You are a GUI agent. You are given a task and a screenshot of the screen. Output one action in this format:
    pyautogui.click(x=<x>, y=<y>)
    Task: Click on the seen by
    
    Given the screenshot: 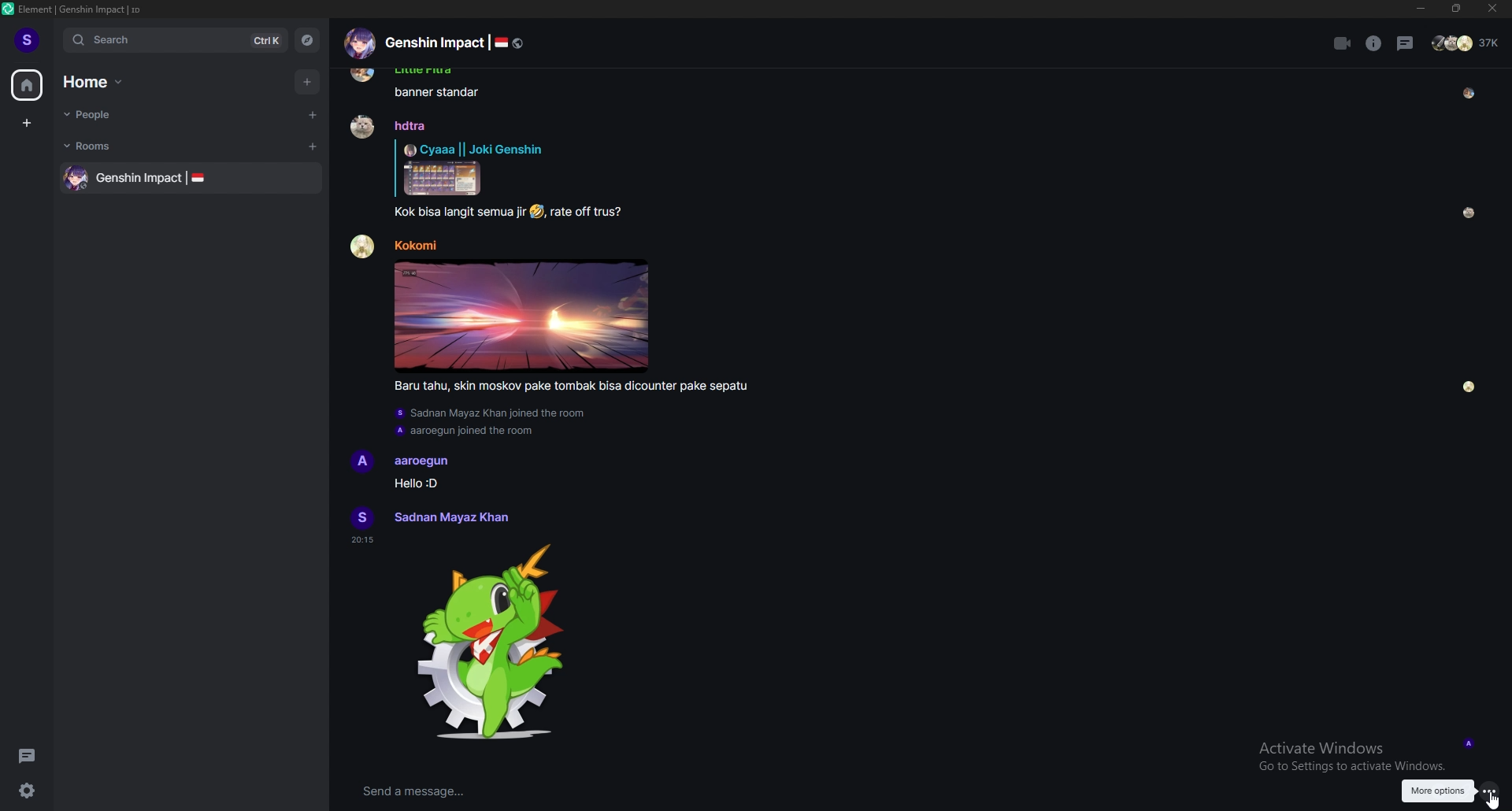 What is the action you would take?
    pyautogui.click(x=1469, y=94)
    